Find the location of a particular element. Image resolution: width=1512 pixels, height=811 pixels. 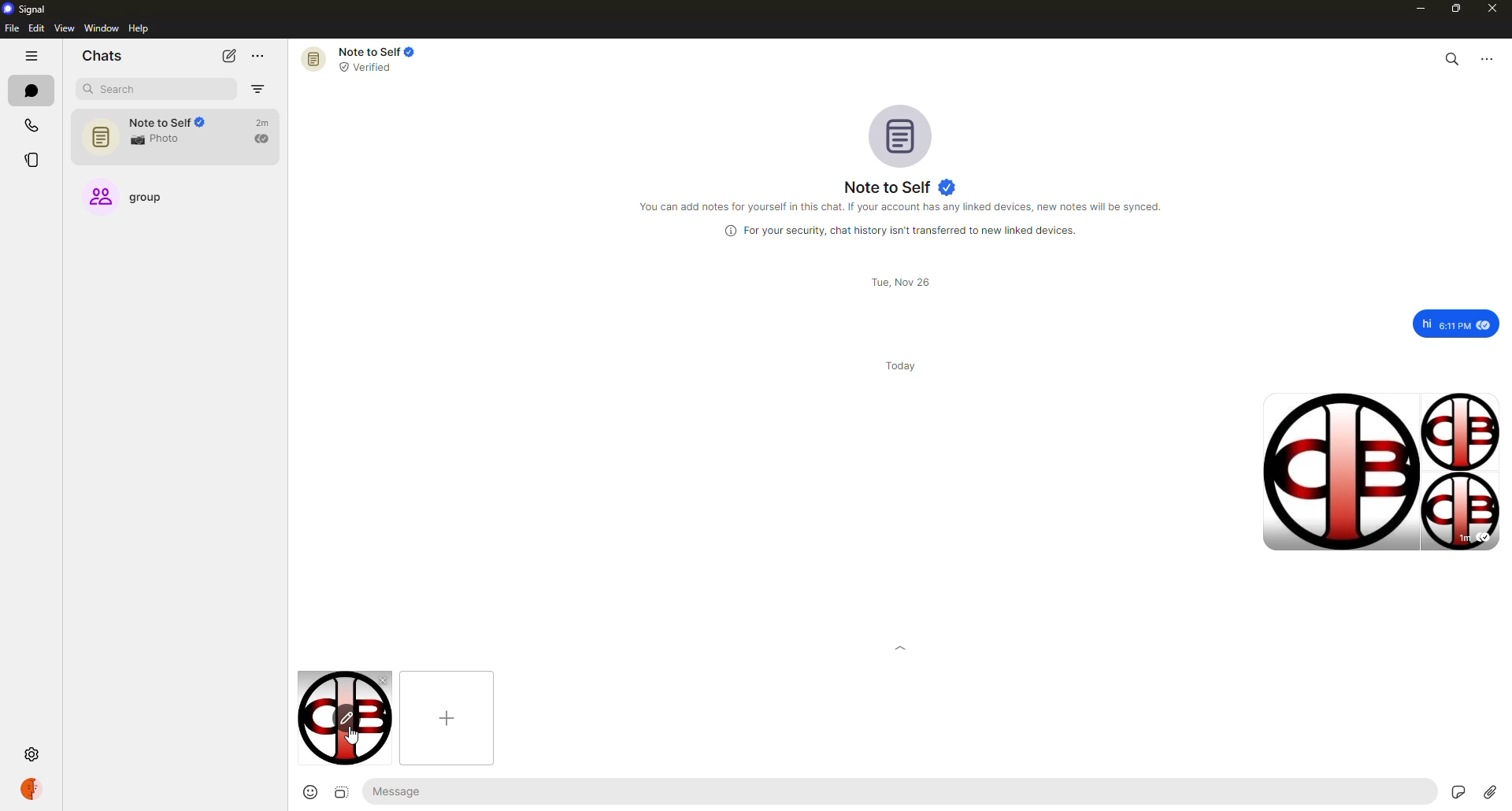

hide tabs is located at coordinates (32, 57).